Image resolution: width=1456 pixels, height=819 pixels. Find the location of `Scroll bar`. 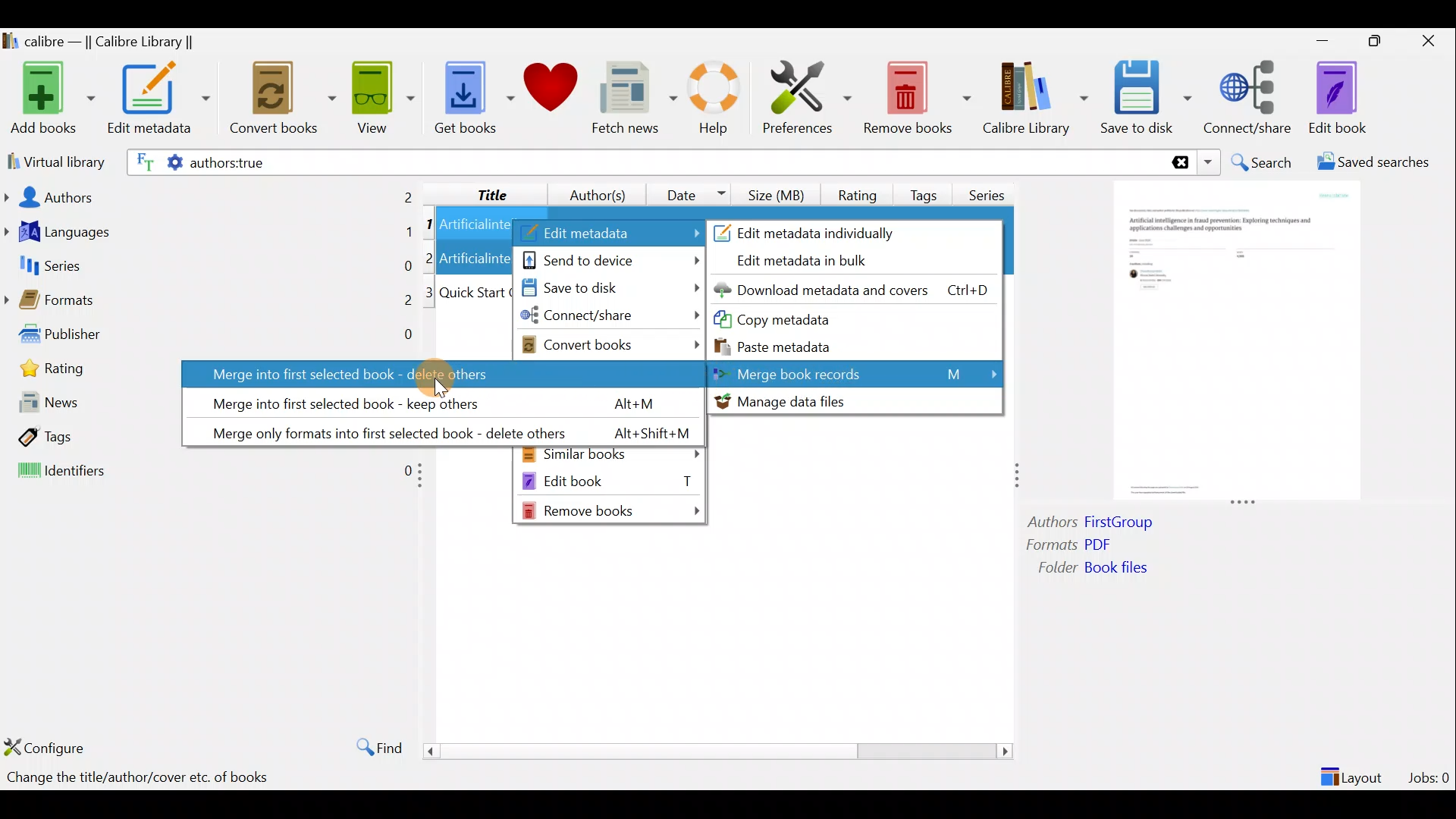

Scroll bar is located at coordinates (712, 751).